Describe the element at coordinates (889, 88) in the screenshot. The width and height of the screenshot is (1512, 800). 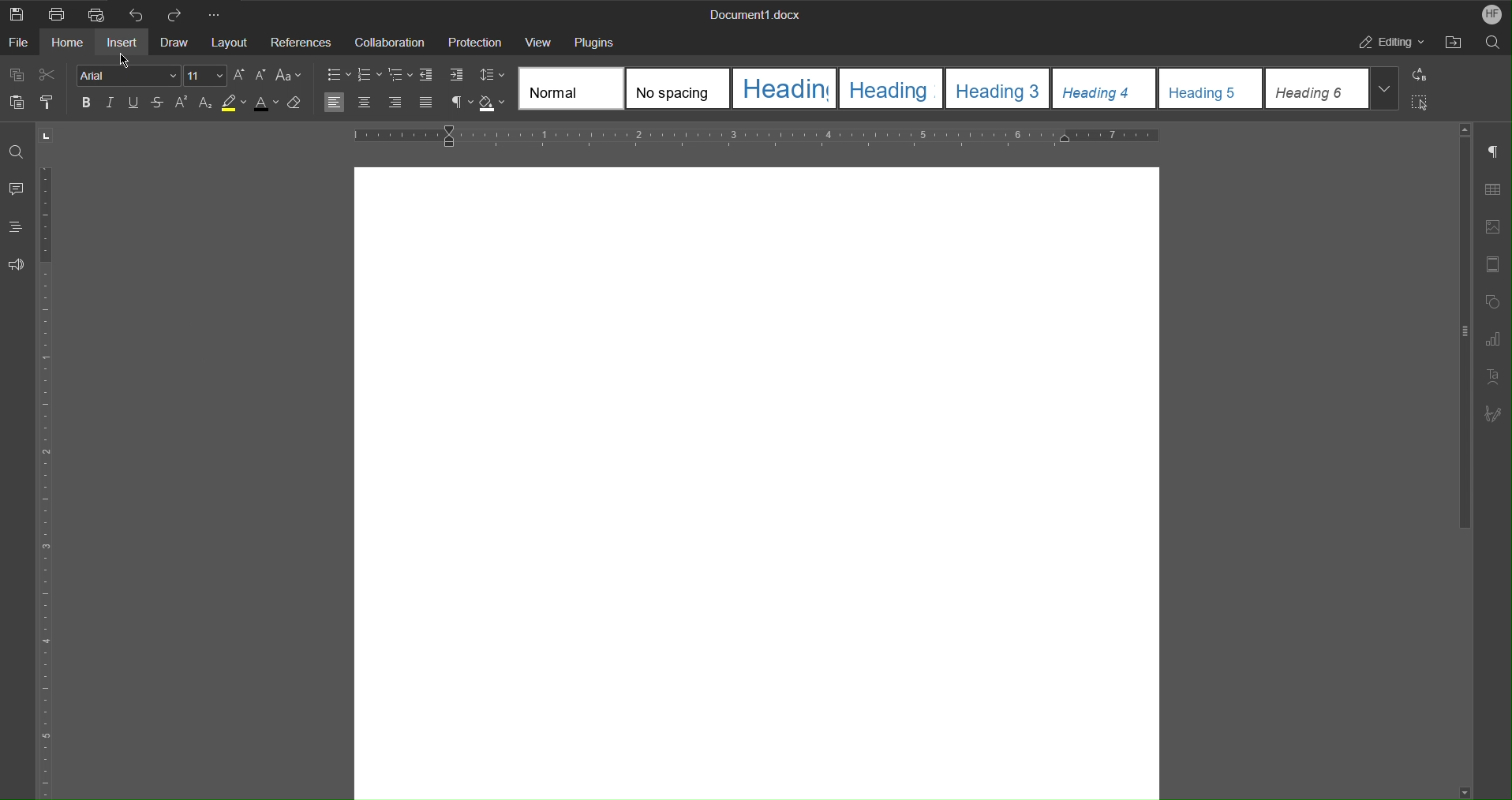
I see `Heading 2` at that location.